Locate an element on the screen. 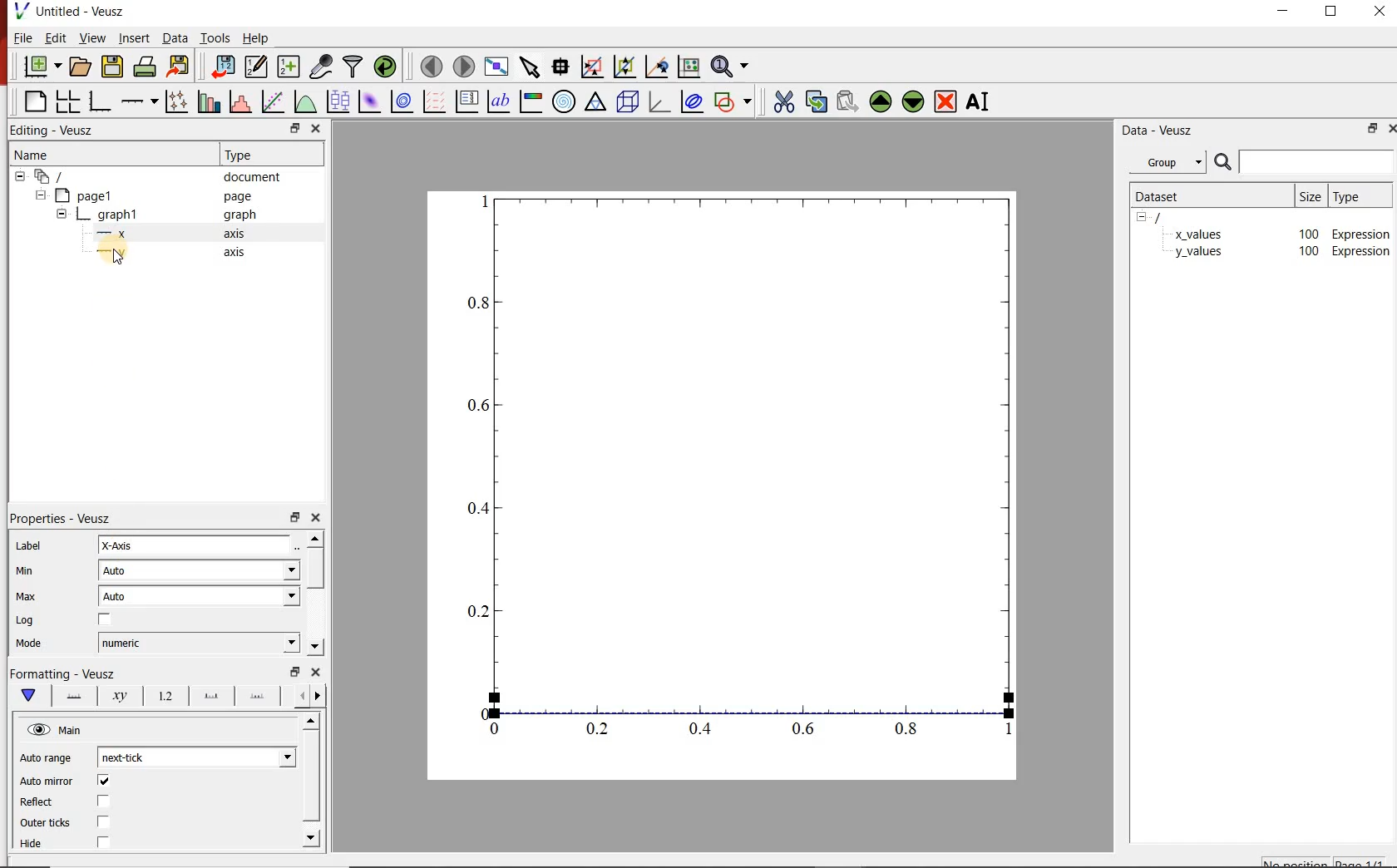 This screenshot has height=868, width=1397. | Max is located at coordinates (27, 599).